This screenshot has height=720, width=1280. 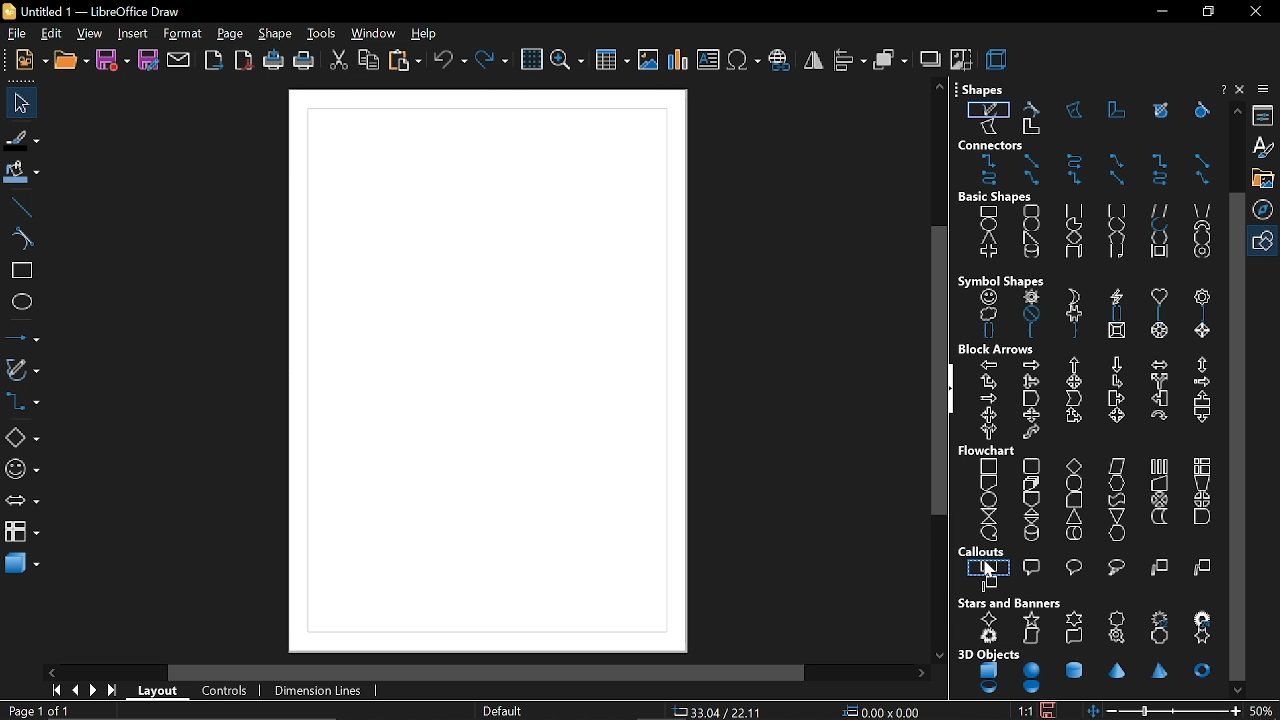 What do you see at coordinates (998, 350) in the screenshot?
I see `block arrows` at bounding box center [998, 350].